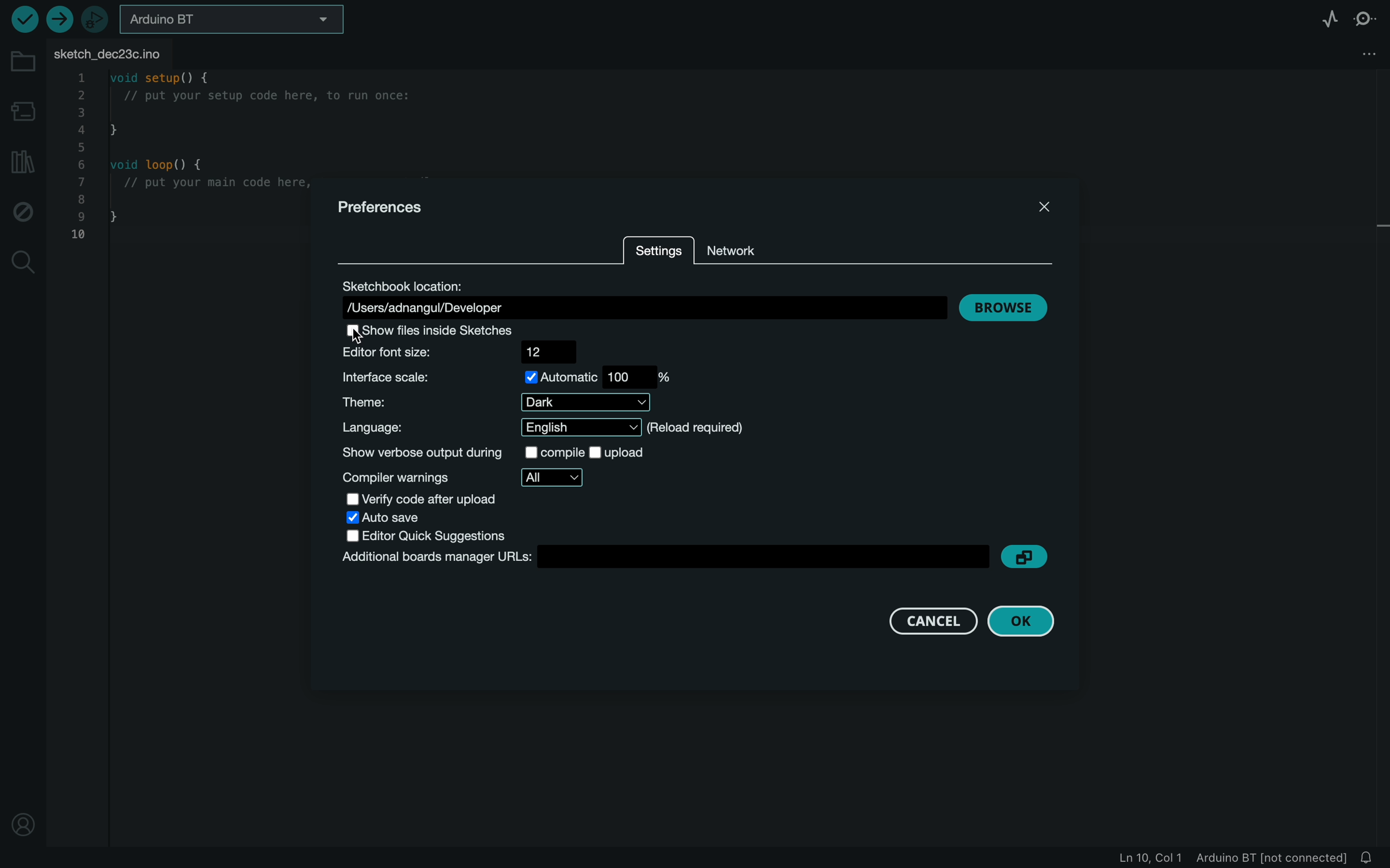  I want to click on notification, so click(1370, 857).